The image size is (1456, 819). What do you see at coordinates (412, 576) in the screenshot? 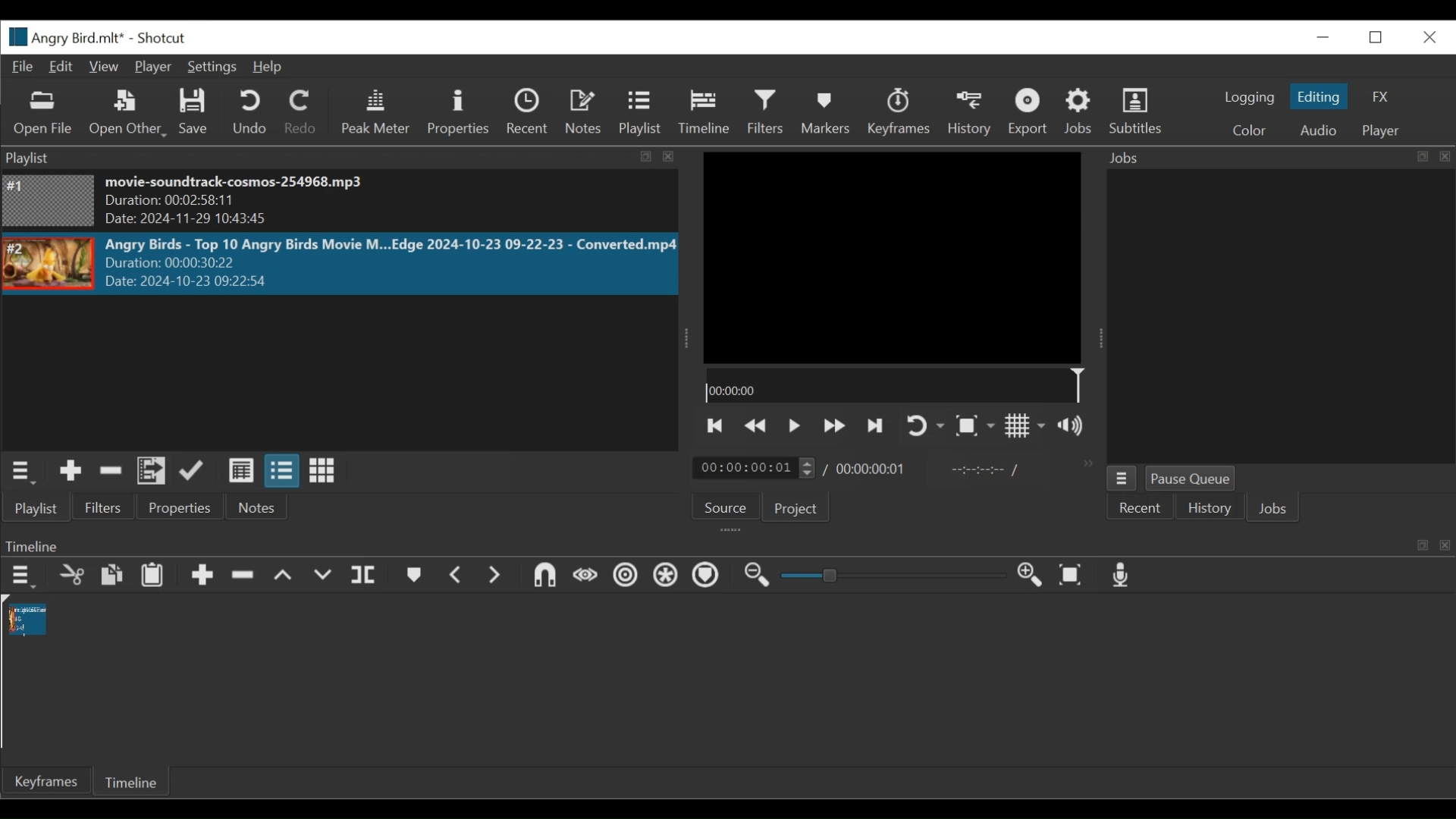
I see `Markers` at bounding box center [412, 576].